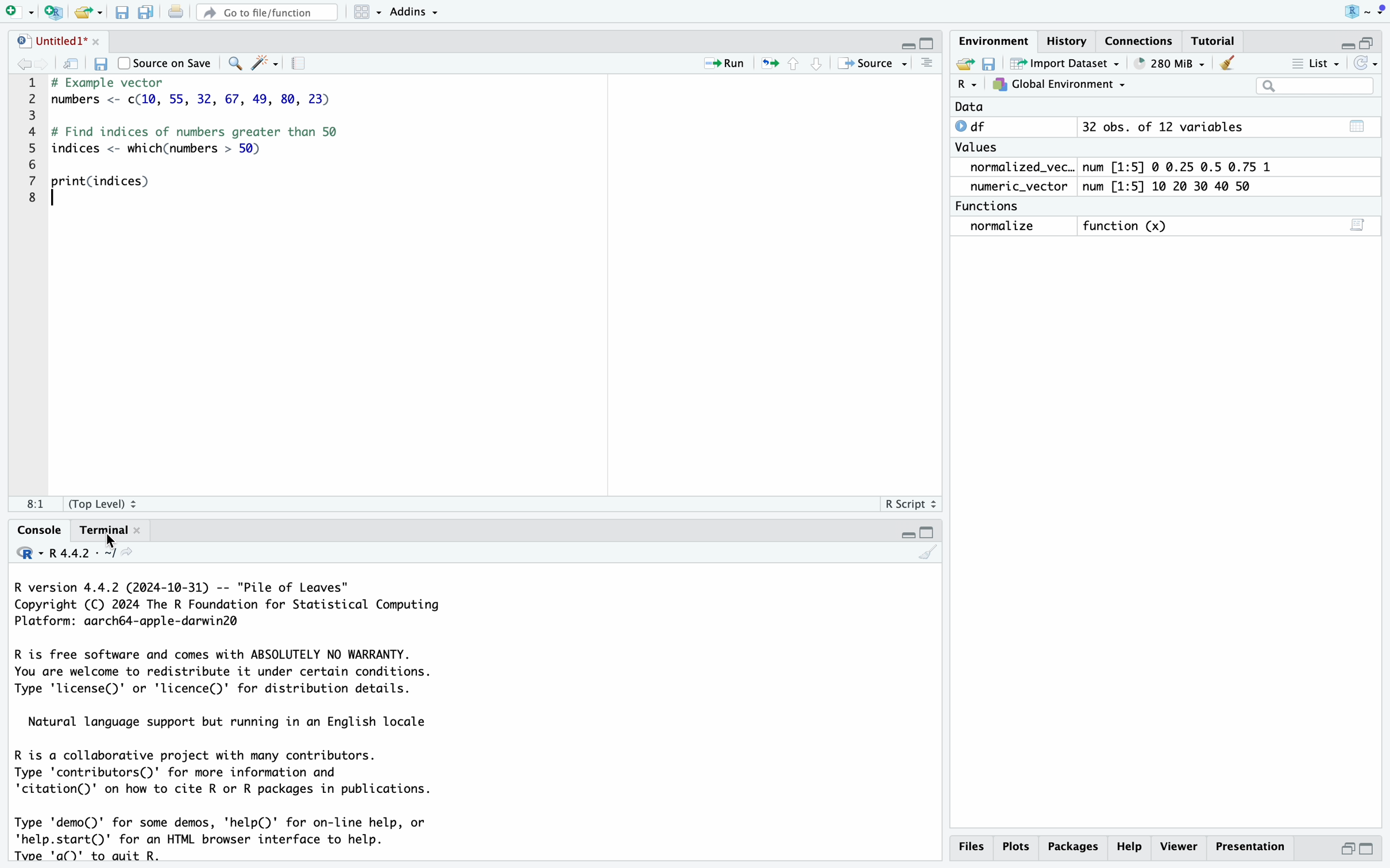 Image resolution: width=1390 pixels, height=868 pixels. What do you see at coordinates (980, 149) in the screenshot?
I see `Values` at bounding box center [980, 149].